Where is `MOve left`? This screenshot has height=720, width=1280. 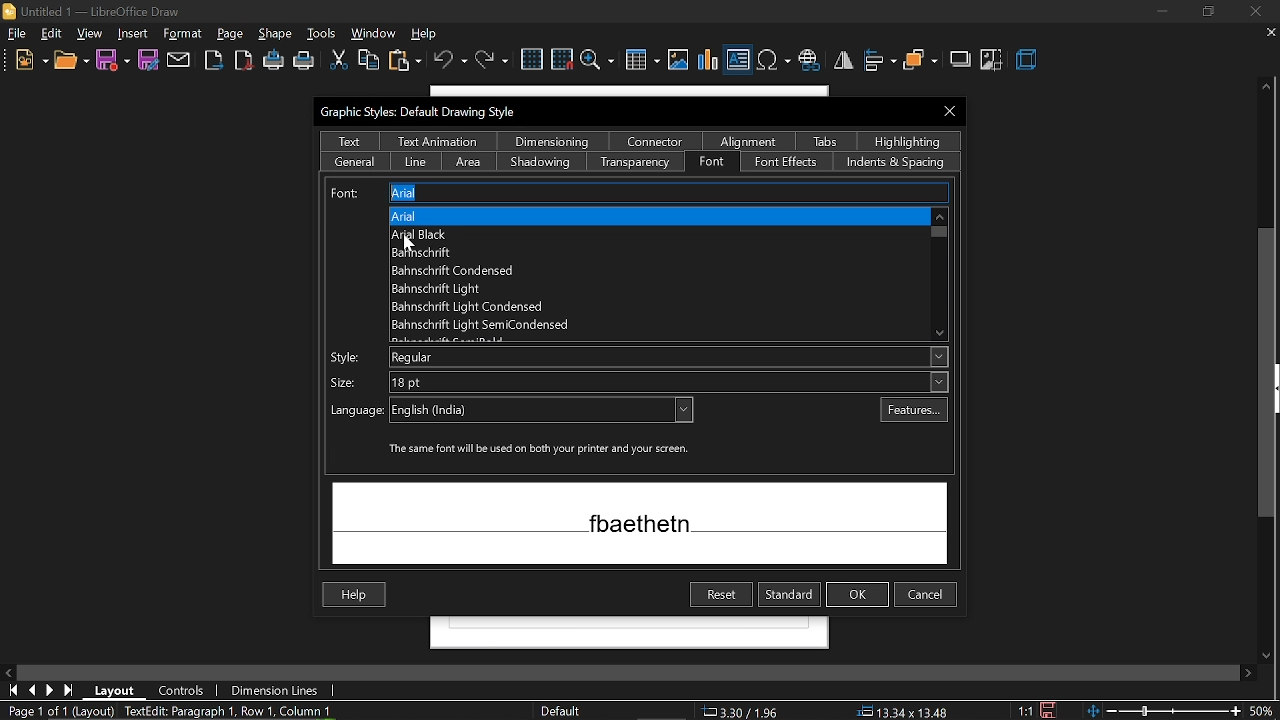
MOve left is located at coordinates (8, 671).